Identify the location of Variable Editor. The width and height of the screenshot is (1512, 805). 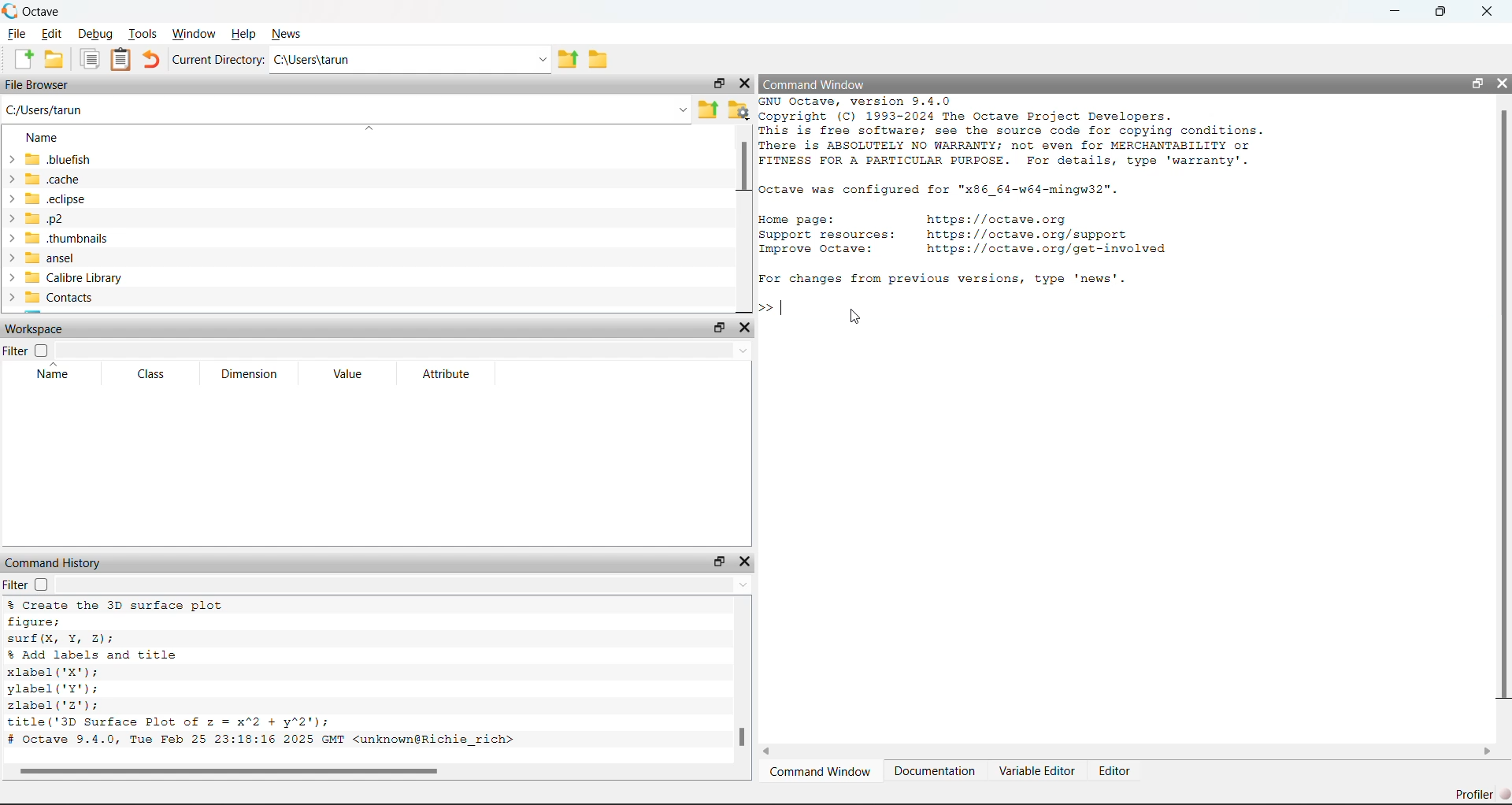
(1036, 770).